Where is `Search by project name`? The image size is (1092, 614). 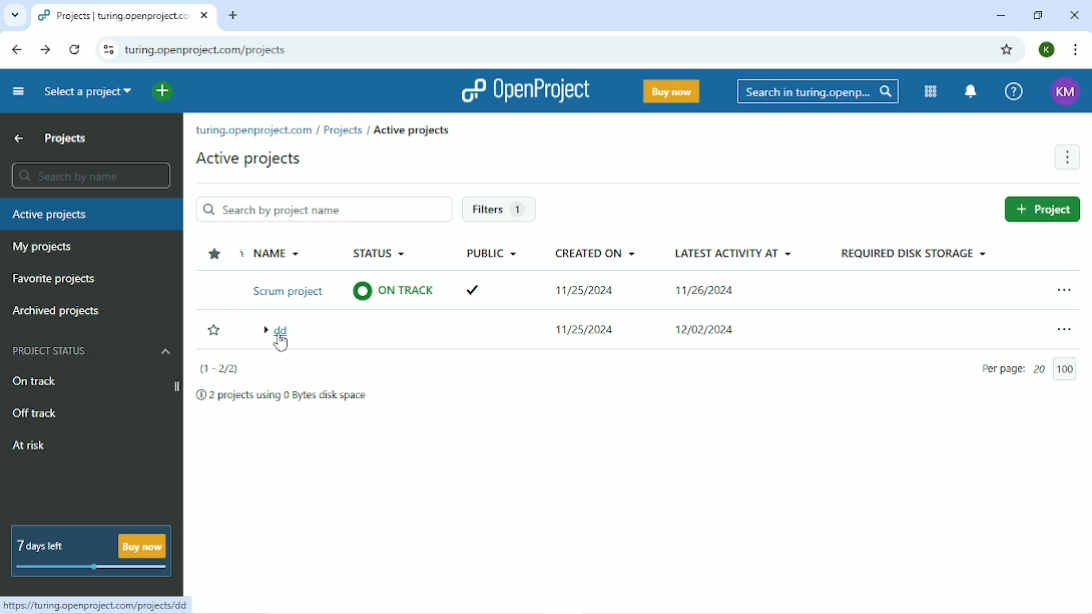 Search by project name is located at coordinates (323, 209).